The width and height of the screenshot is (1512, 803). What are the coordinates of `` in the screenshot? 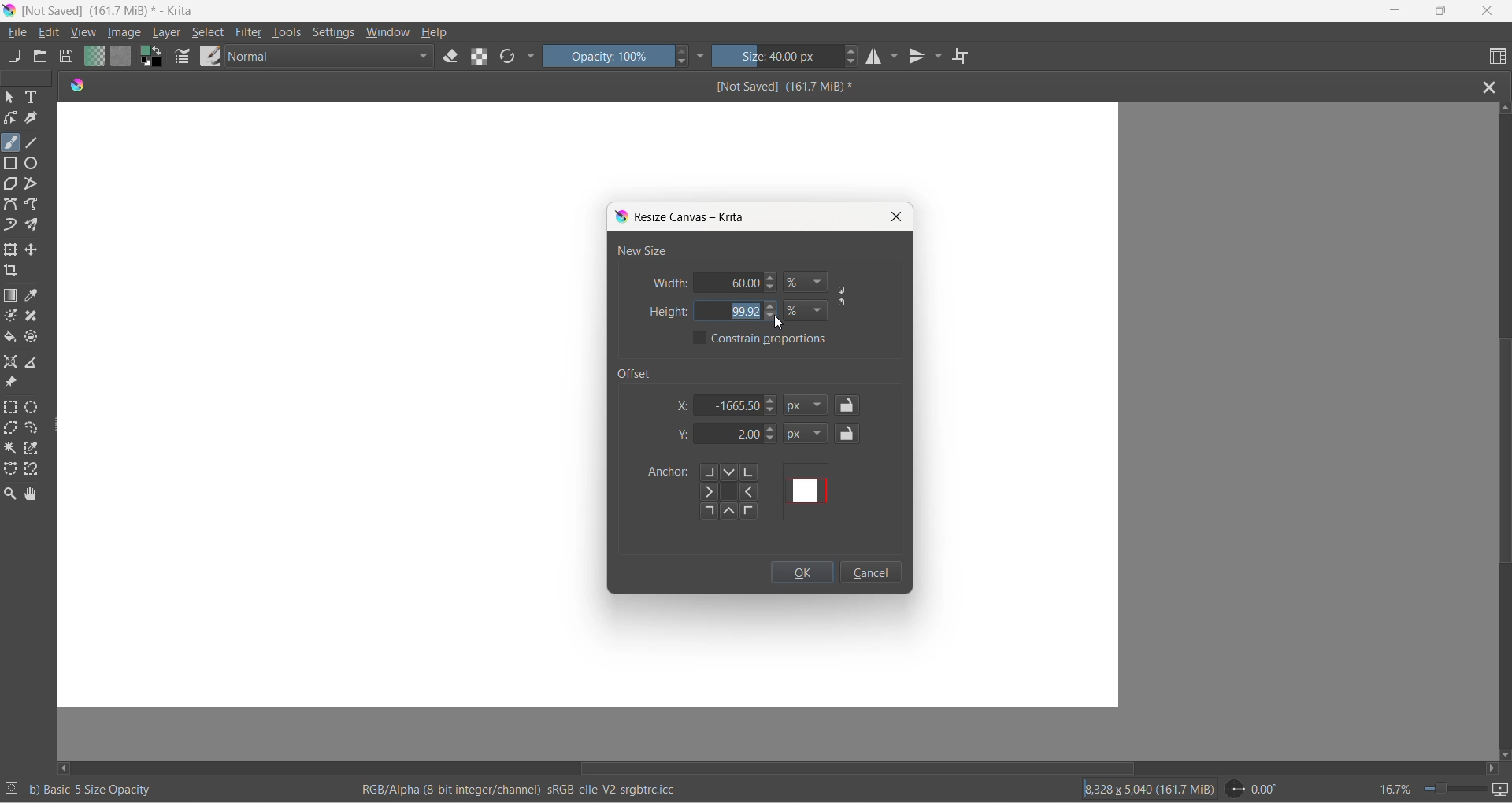 It's located at (771, 400).